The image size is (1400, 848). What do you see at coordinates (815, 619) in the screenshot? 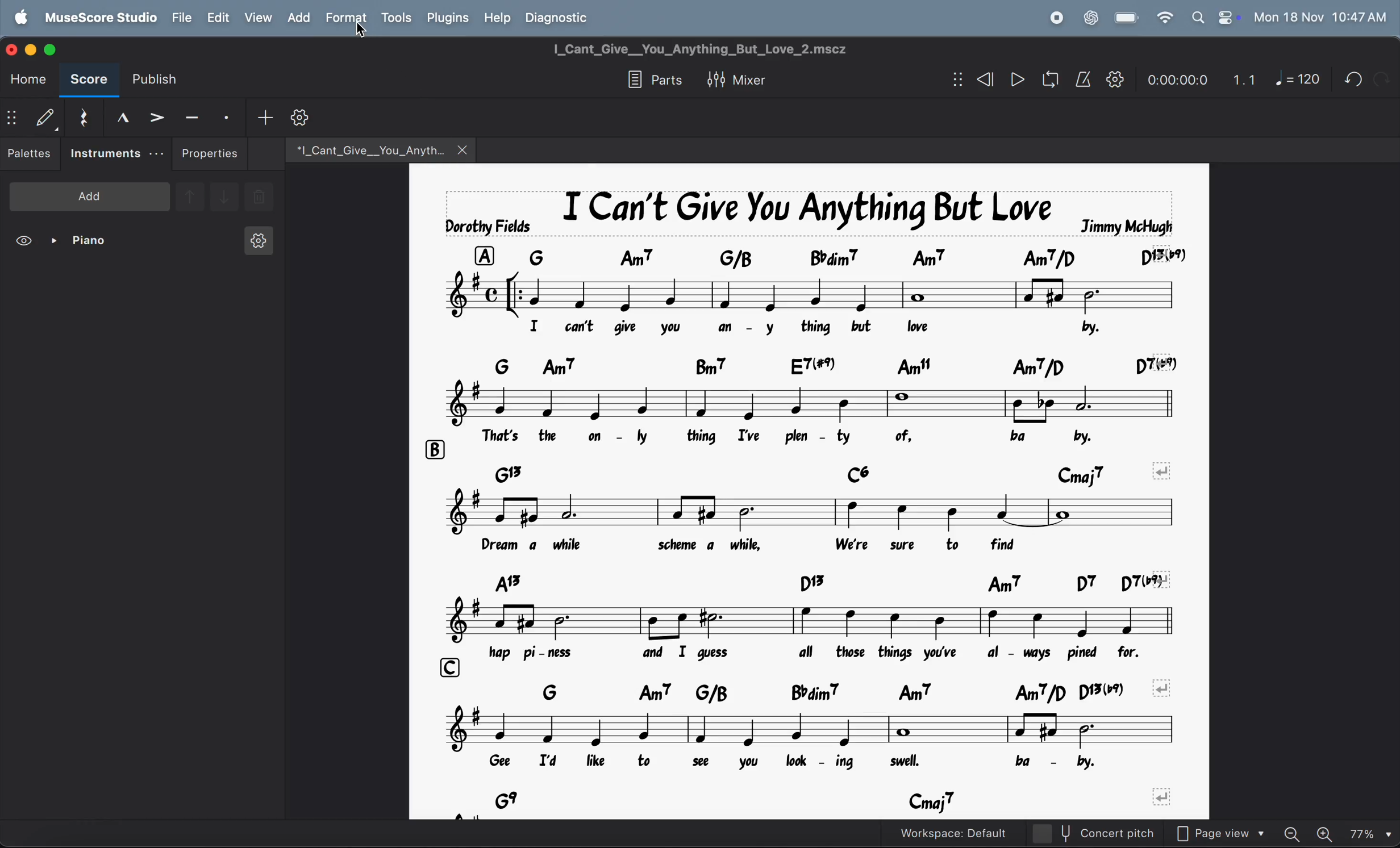
I see `notes` at bounding box center [815, 619].